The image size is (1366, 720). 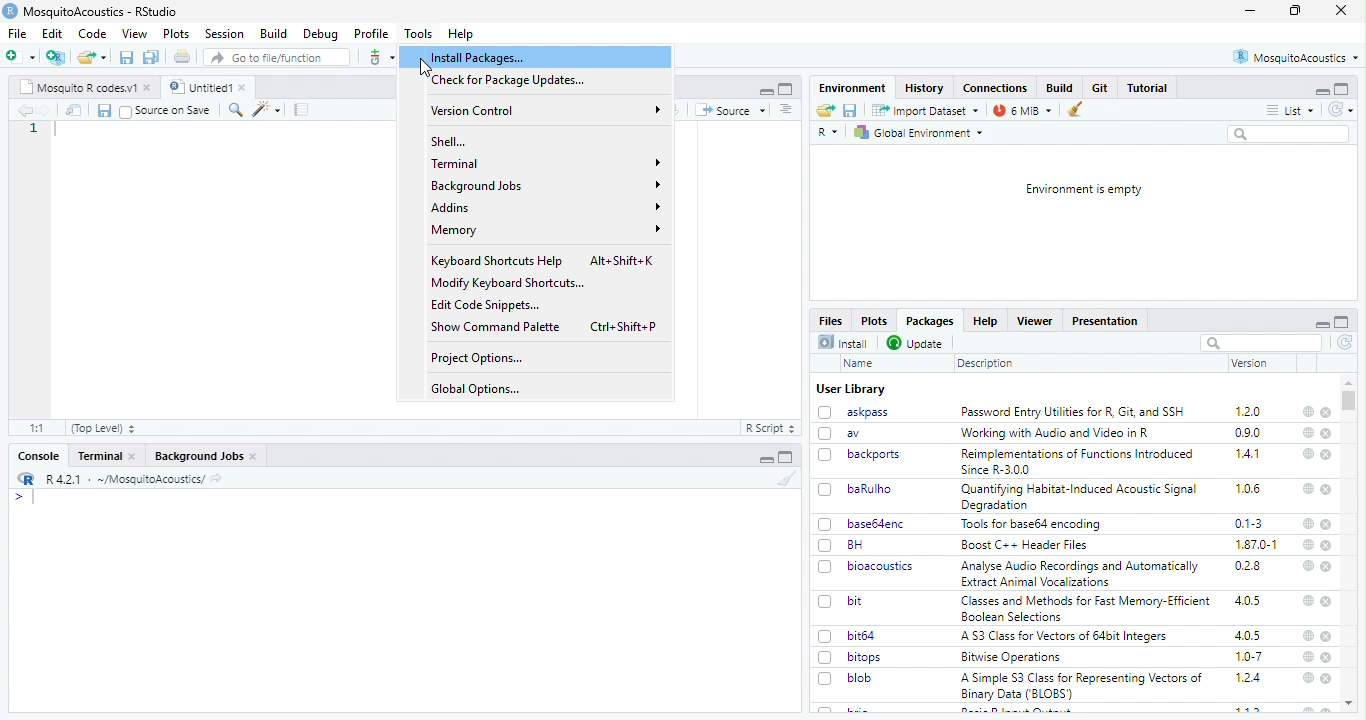 What do you see at coordinates (1350, 704) in the screenshot?
I see `scroll down` at bounding box center [1350, 704].